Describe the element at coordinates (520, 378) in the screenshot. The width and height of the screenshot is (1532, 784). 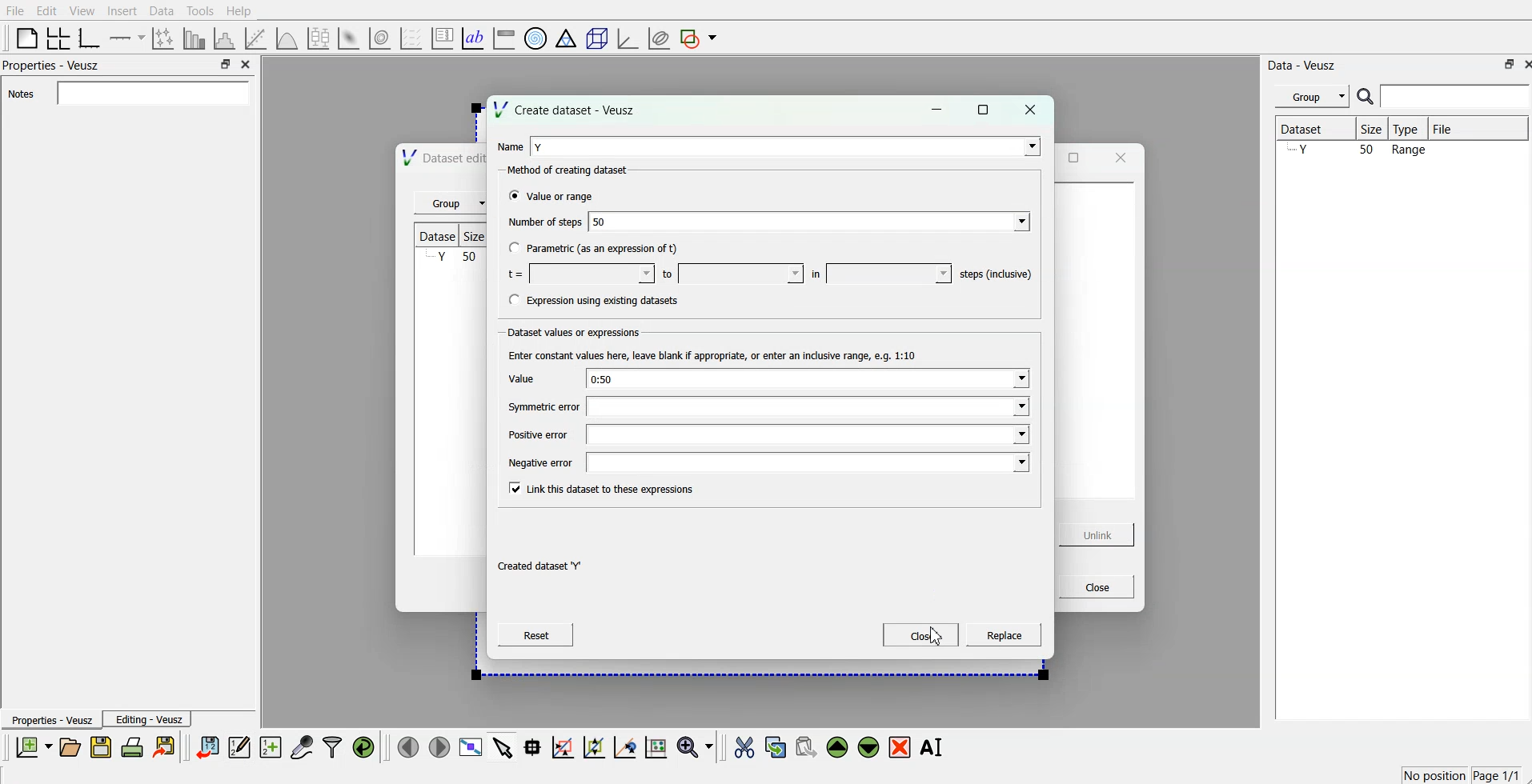
I see `value` at that location.